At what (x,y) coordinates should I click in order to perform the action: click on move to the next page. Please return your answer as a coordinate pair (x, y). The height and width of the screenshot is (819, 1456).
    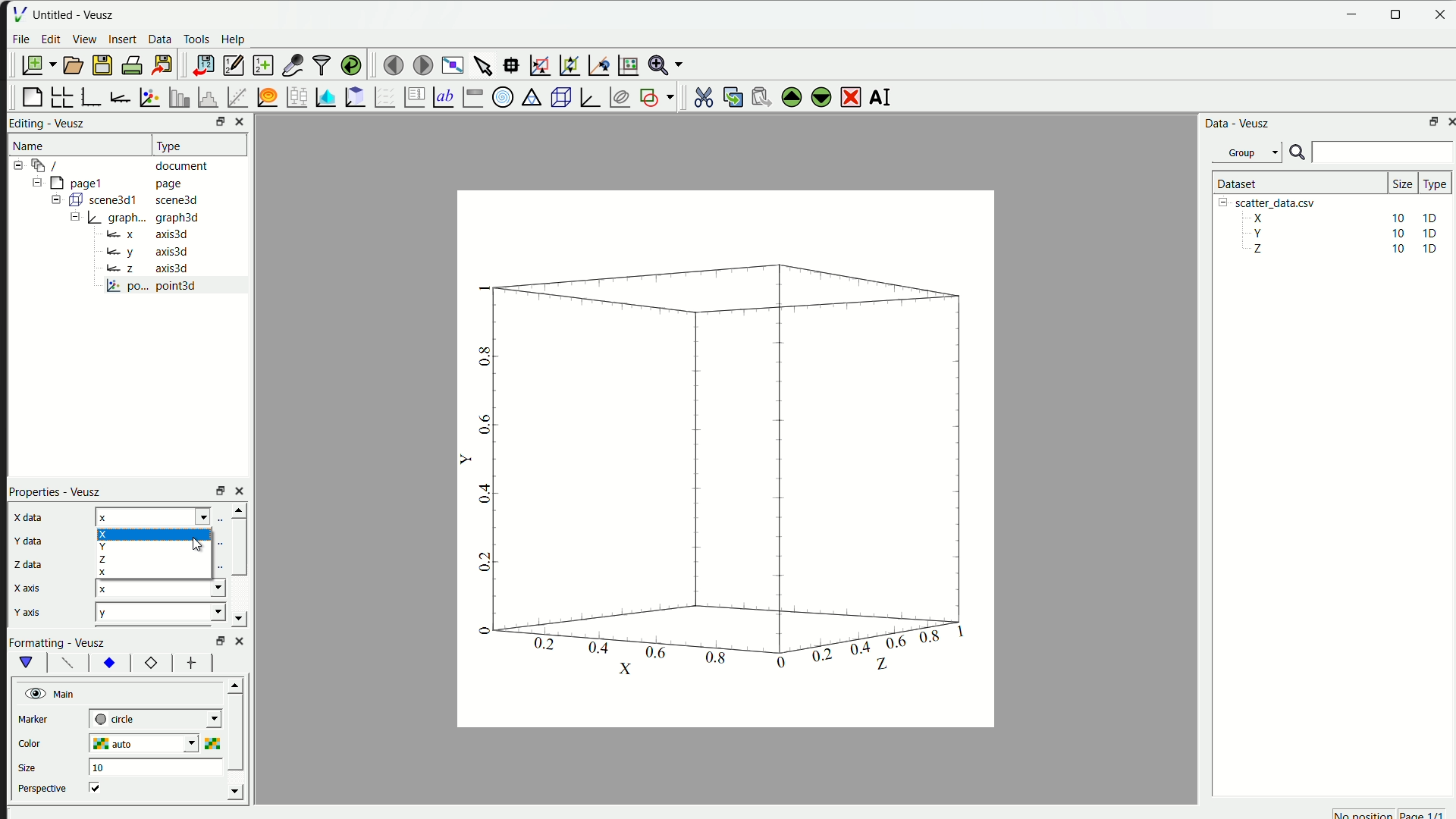
    Looking at the image, I should click on (420, 64).